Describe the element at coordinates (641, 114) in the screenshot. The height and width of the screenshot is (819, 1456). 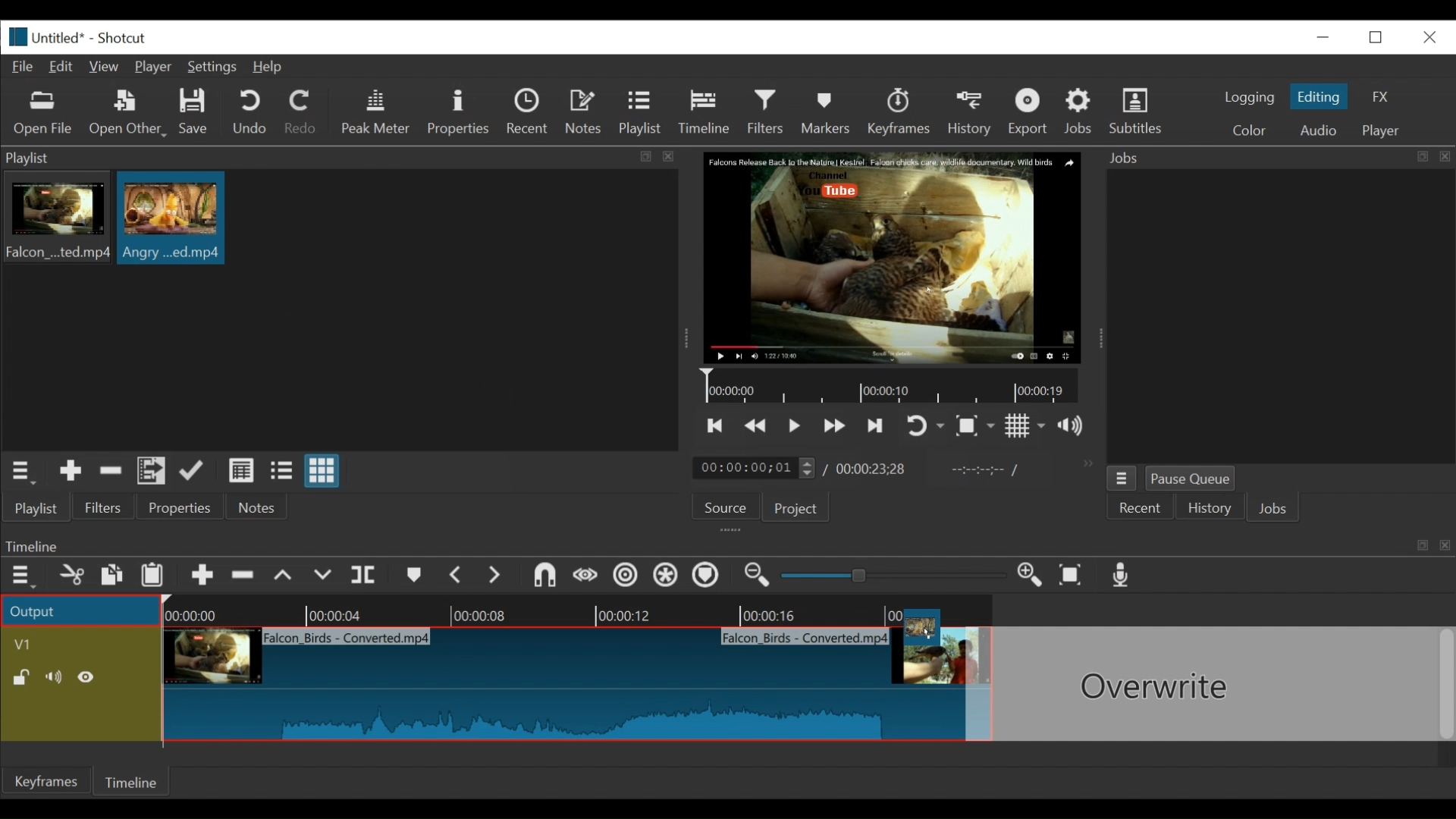
I see `Playlist` at that location.